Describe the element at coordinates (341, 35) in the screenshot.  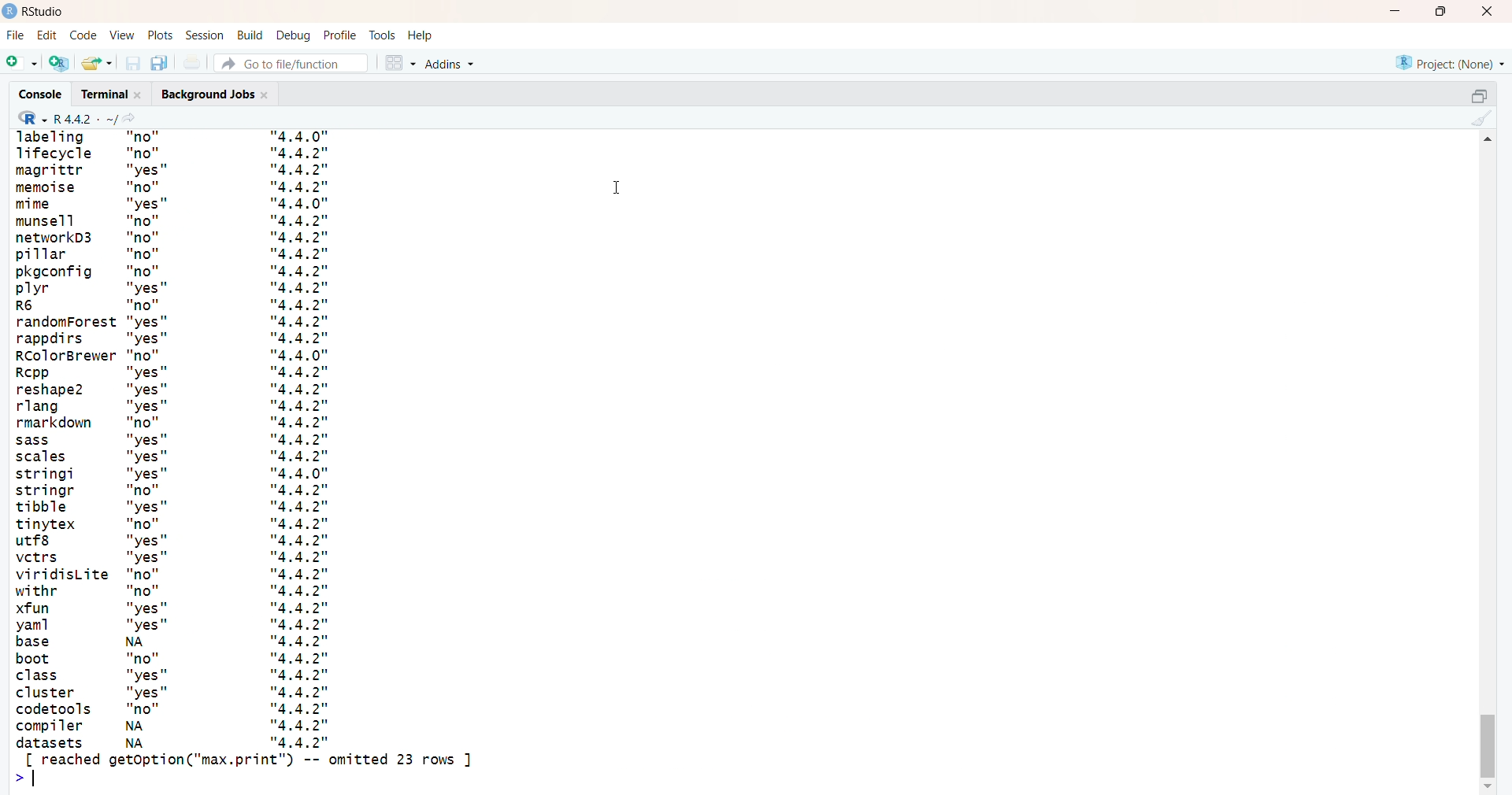
I see `profile` at that location.